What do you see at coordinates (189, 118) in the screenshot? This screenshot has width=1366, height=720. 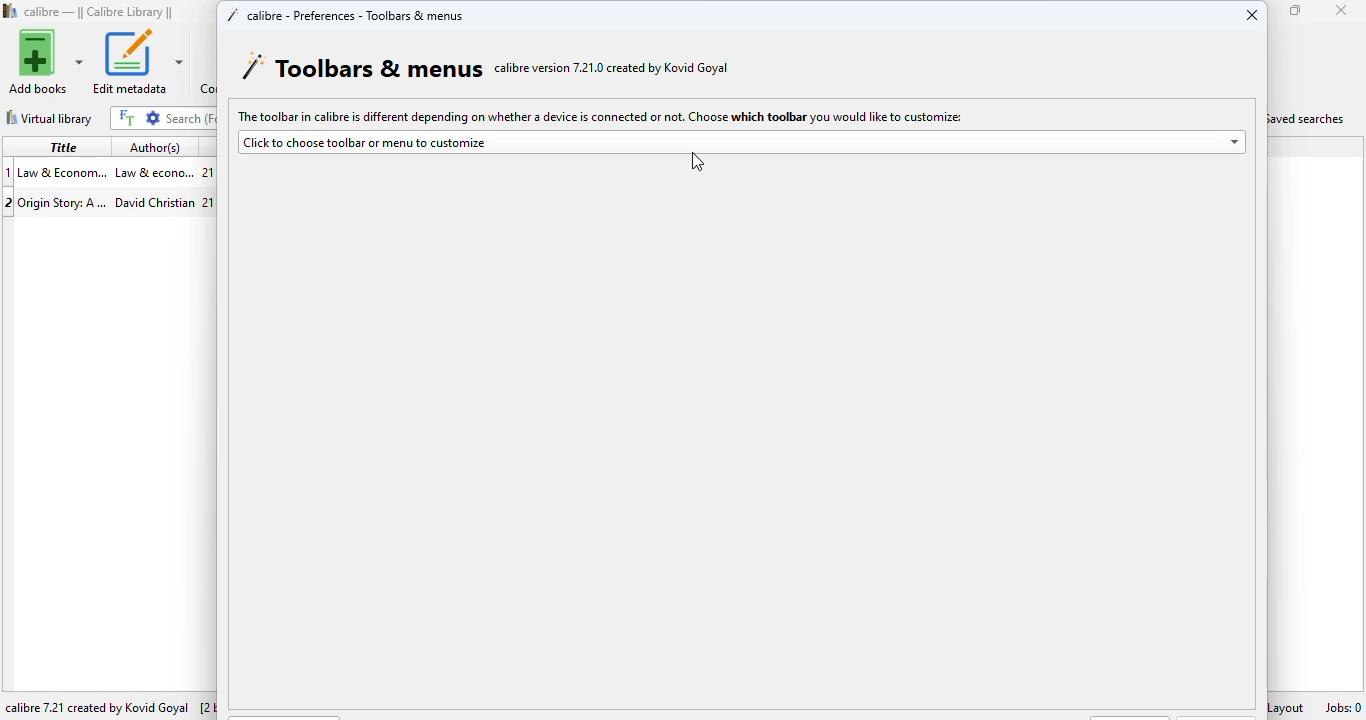 I see `search` at bounding box center [189, 118].